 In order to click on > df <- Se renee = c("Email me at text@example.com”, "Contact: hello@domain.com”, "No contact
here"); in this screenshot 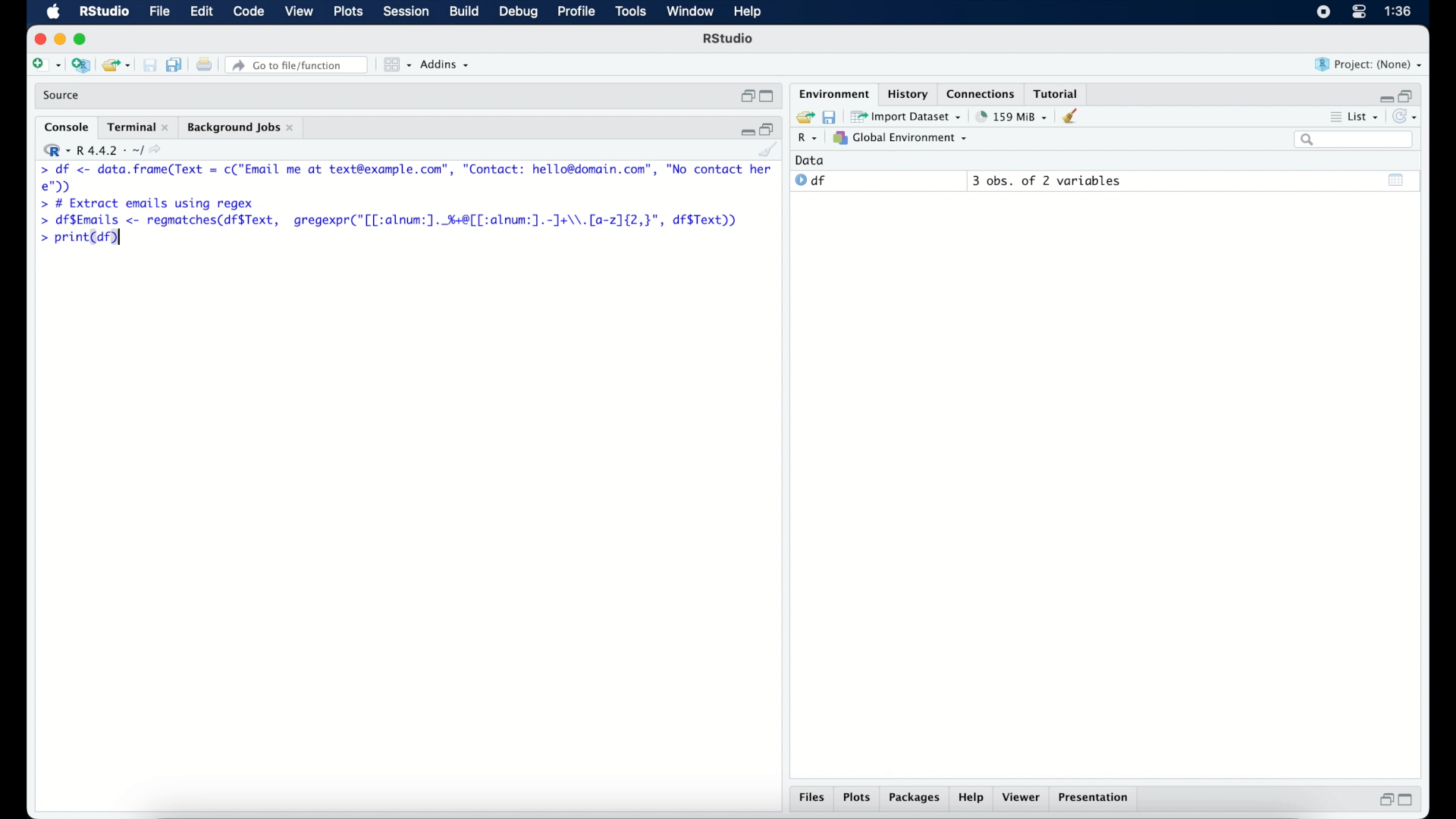, I will do `click(406, 178)`.